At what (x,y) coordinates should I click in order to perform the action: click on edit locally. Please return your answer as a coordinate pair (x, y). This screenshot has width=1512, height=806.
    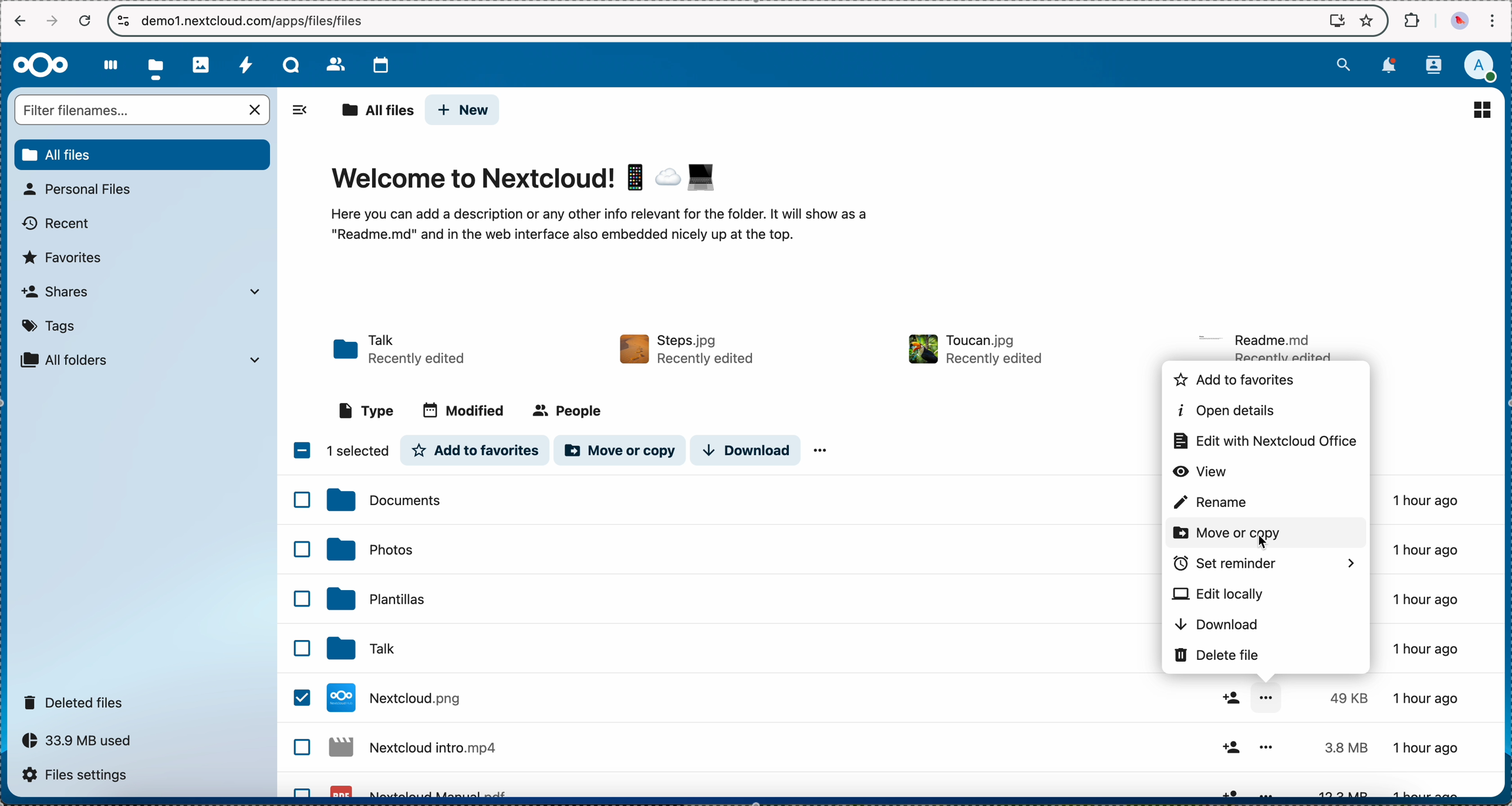
    Looking at the image, I should click on (1219, 594).